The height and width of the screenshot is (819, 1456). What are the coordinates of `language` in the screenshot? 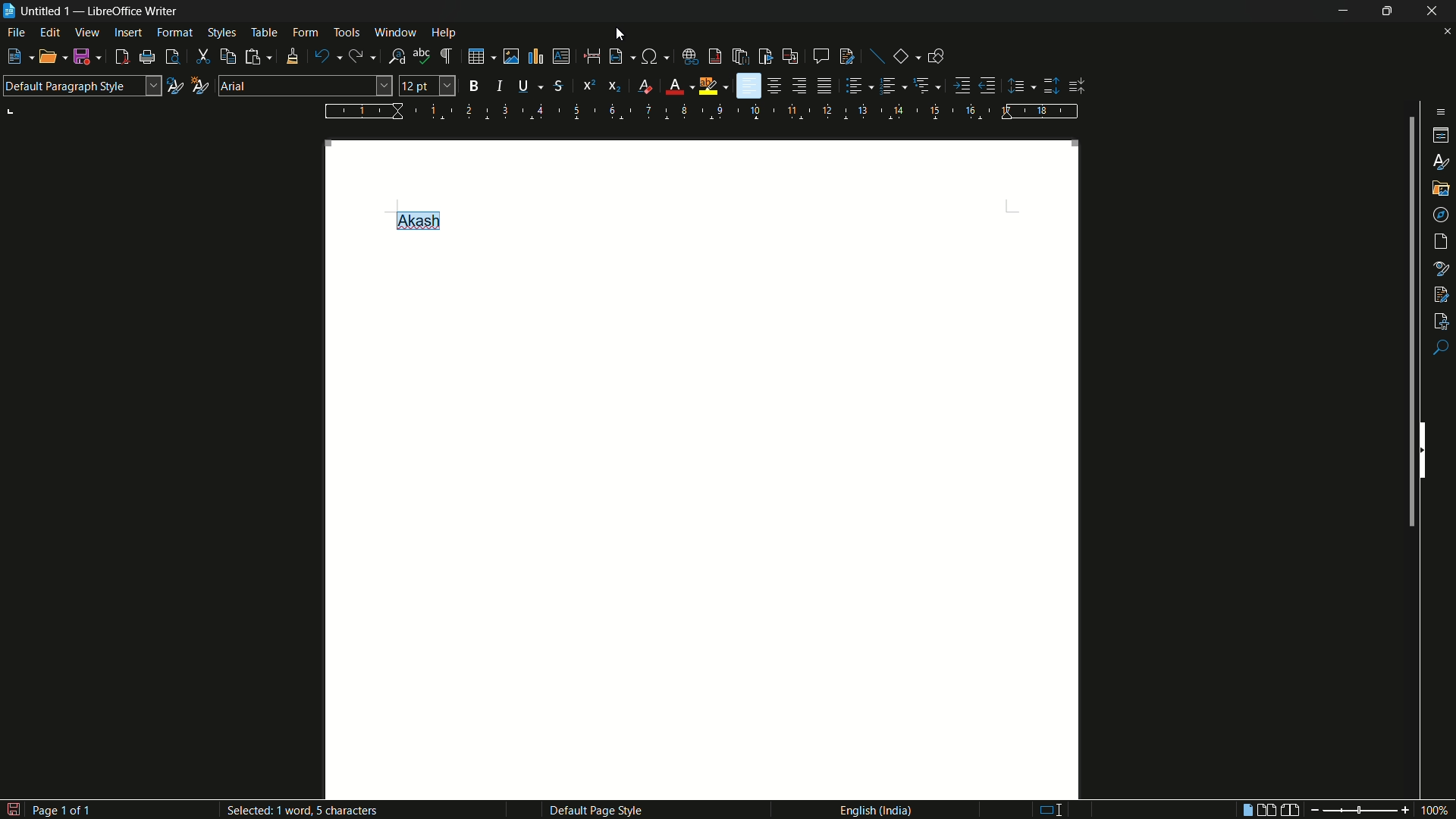 It's located at (874, 809).